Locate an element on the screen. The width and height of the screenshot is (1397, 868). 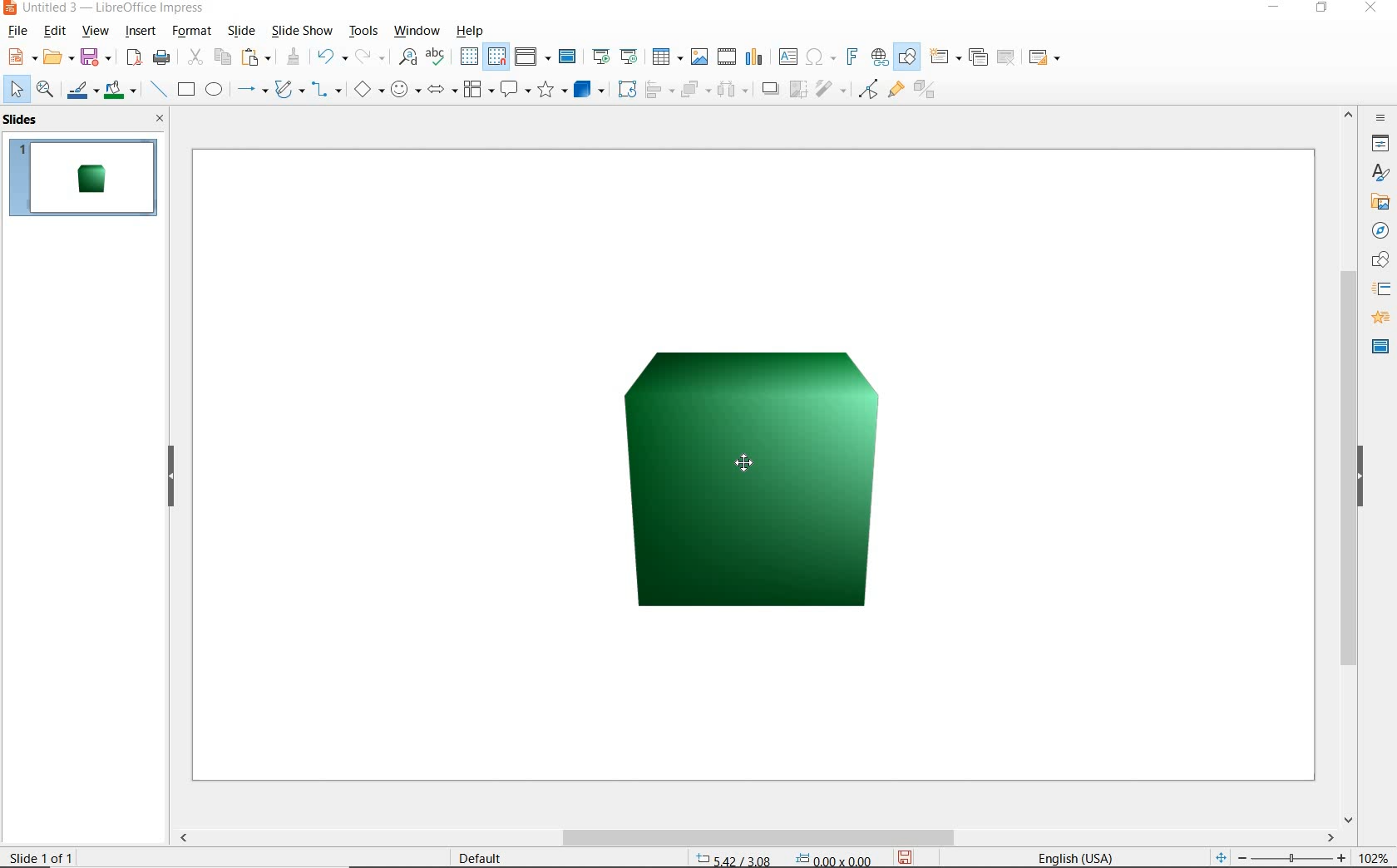
save is located at coordinates (95, 59).